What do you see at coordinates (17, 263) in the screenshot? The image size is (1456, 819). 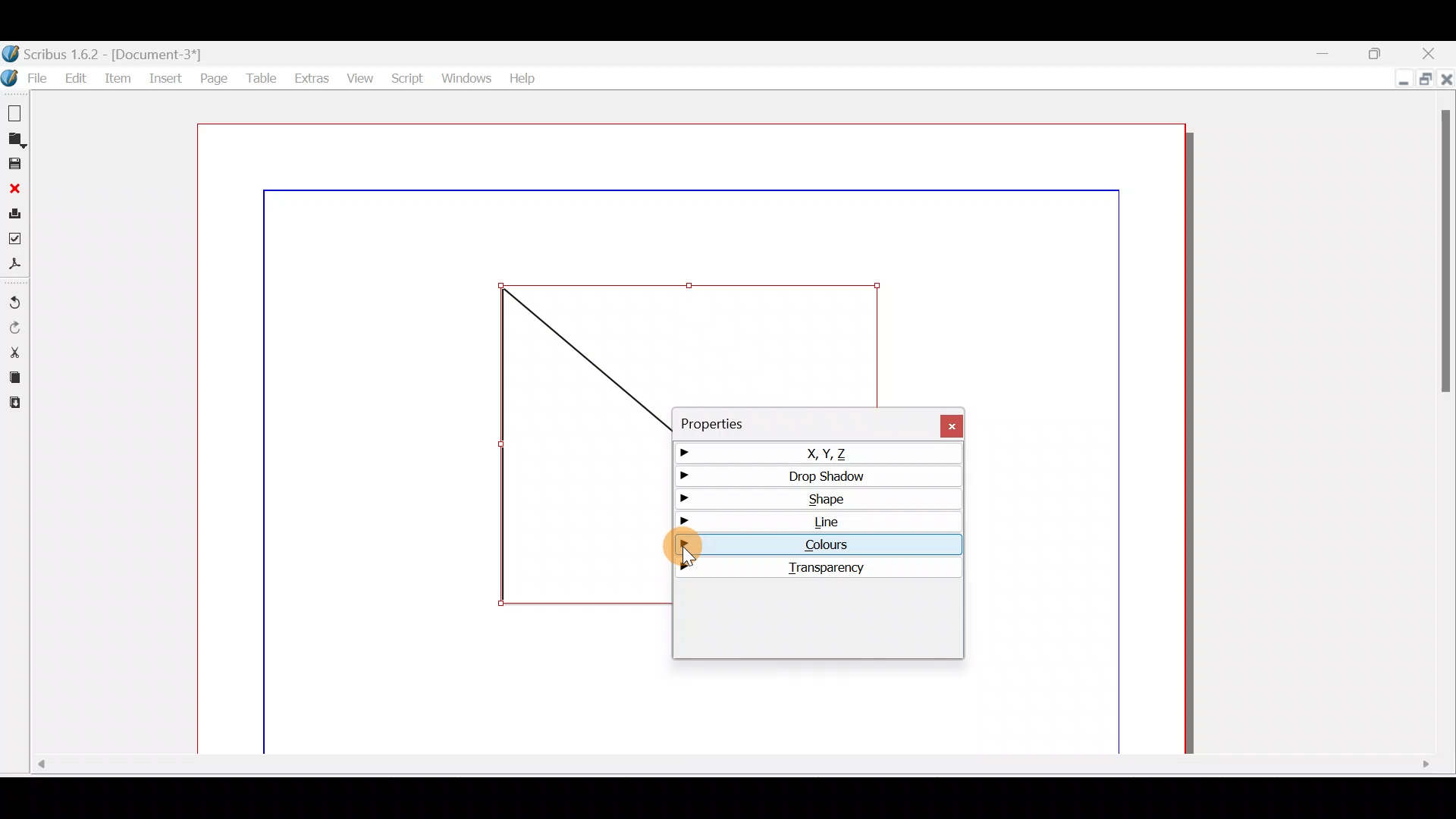 I see `Save as PDF` at bounding box center [17, 263].